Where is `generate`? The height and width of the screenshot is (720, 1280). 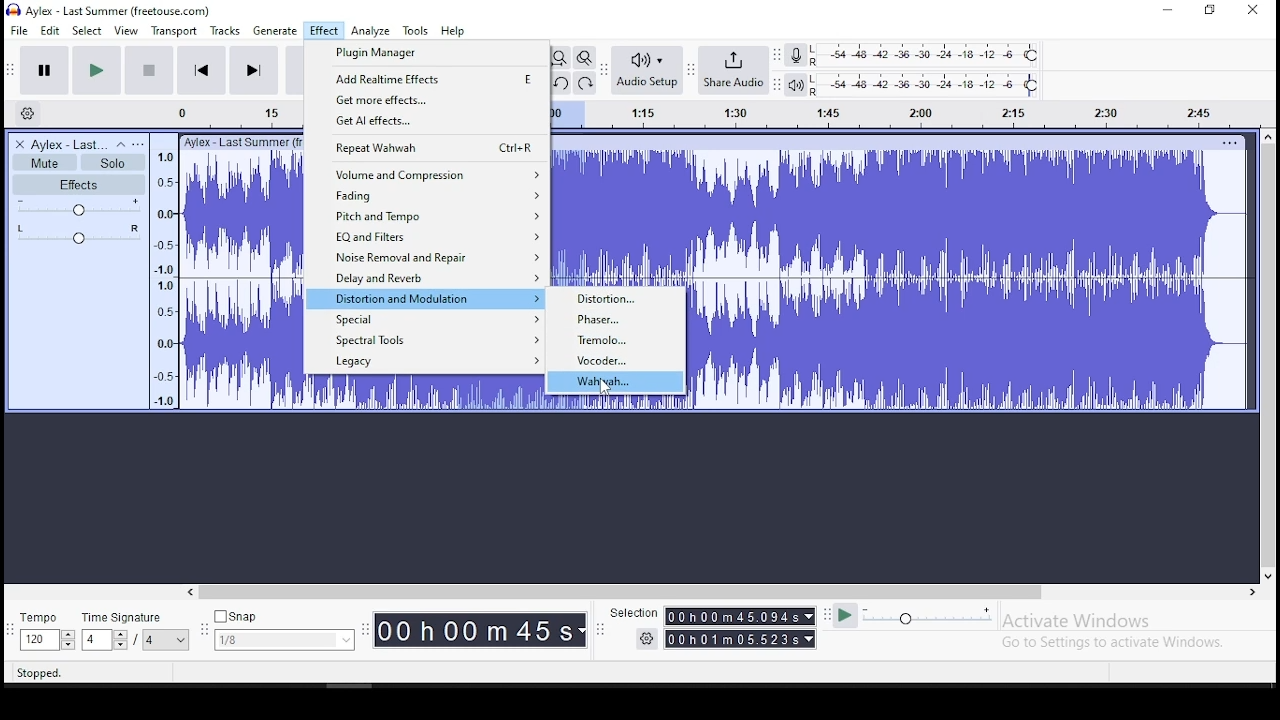 generate is located at coordinates (274, 29).